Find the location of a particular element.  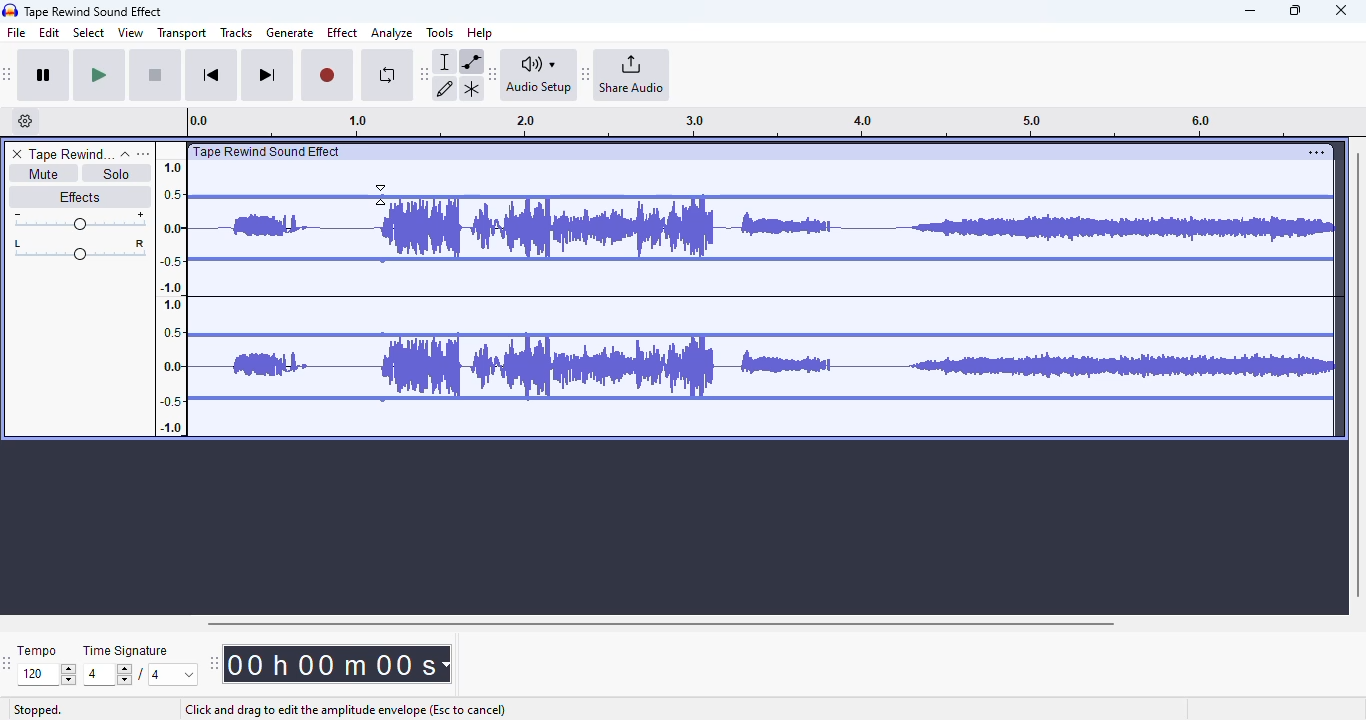

Track timeline is located at coordinates (744, 122).